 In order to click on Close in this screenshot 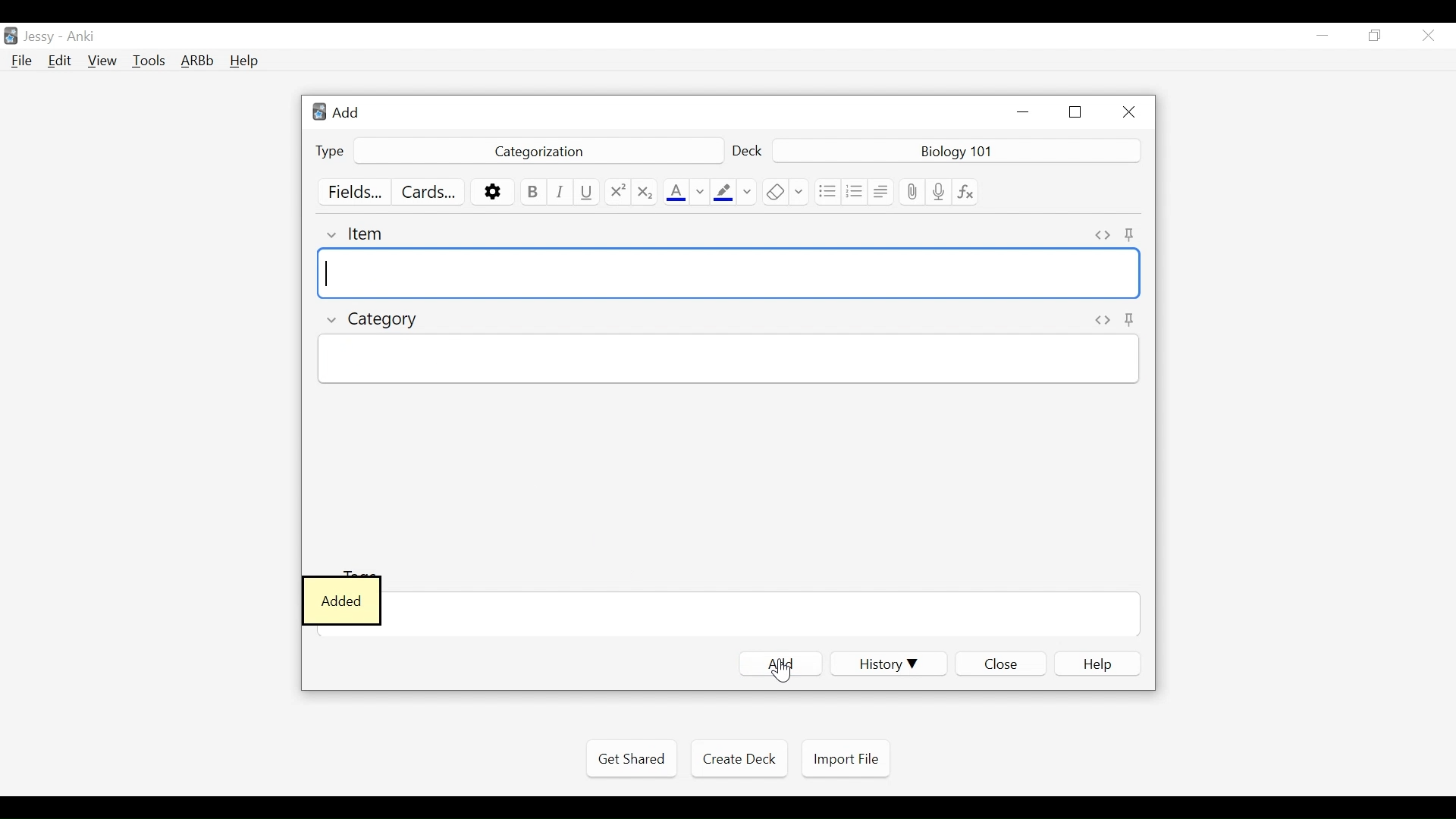, I will do `click(1000, 664)`.